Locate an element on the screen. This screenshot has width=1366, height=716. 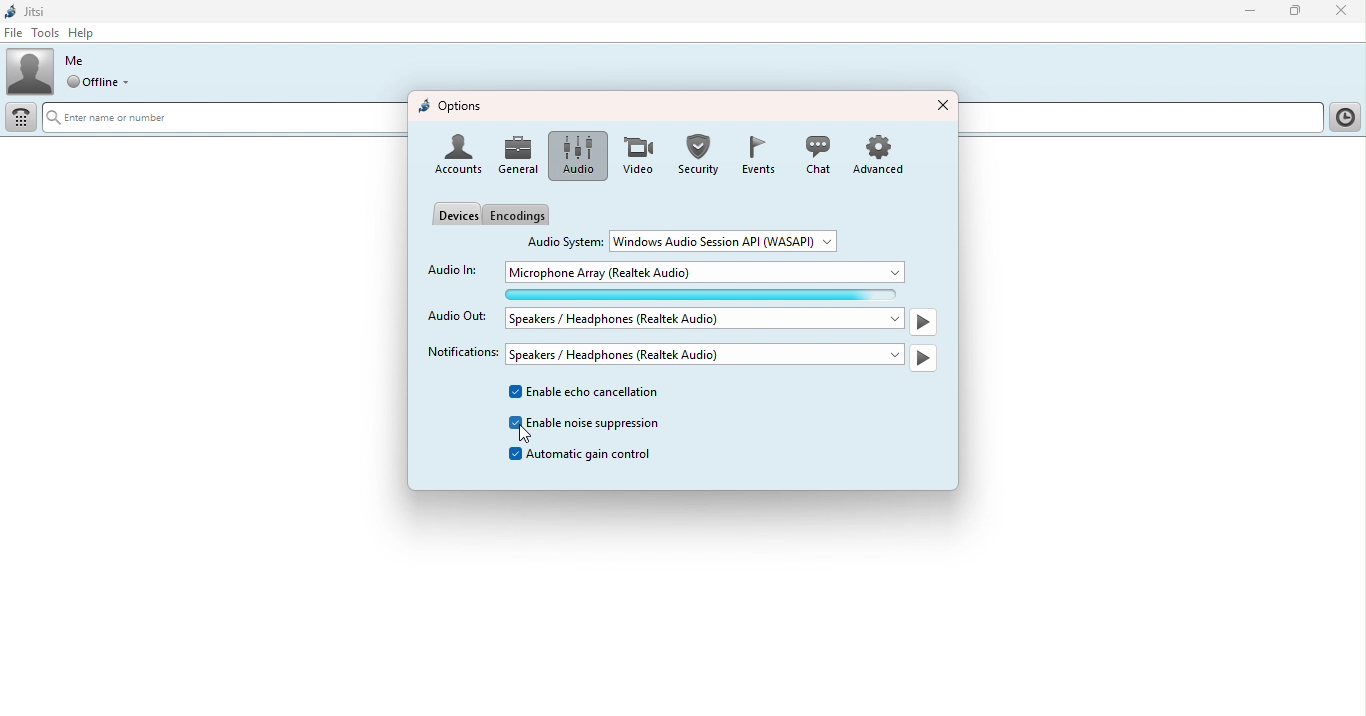
Jitsi logo is located at coordinates (29, 10).